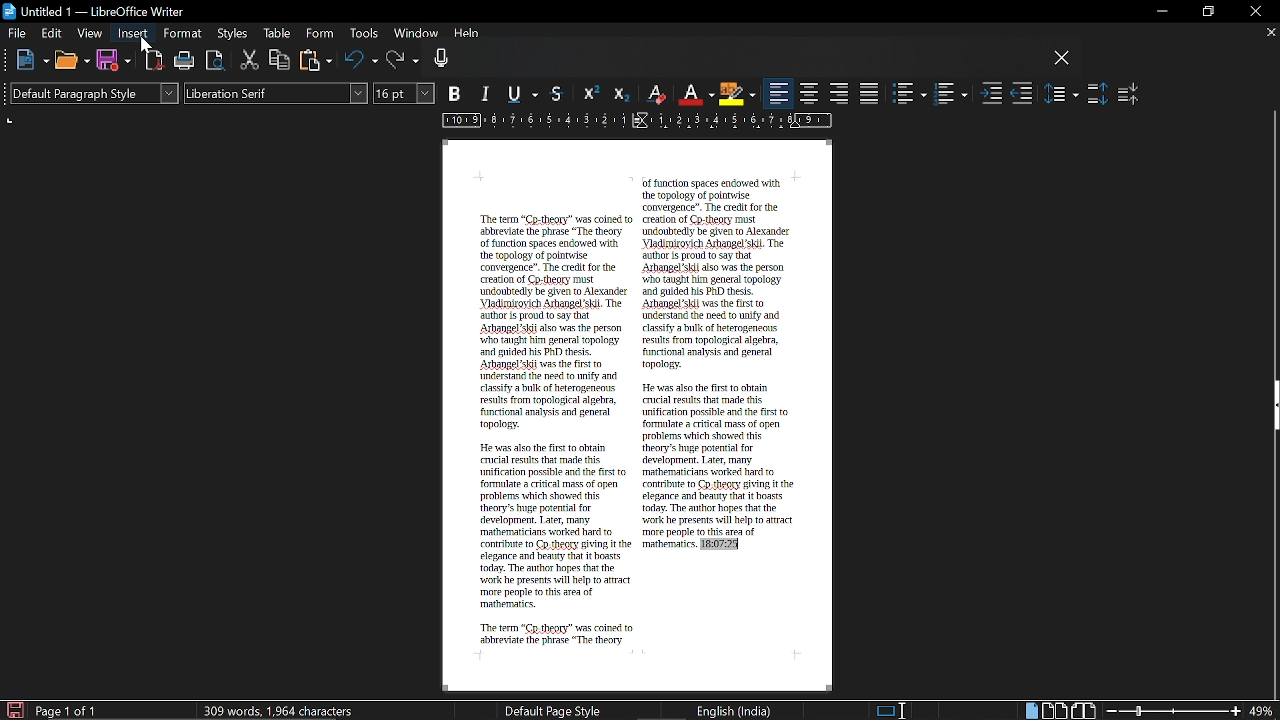  I want to click on Italic, so click(487, 95).